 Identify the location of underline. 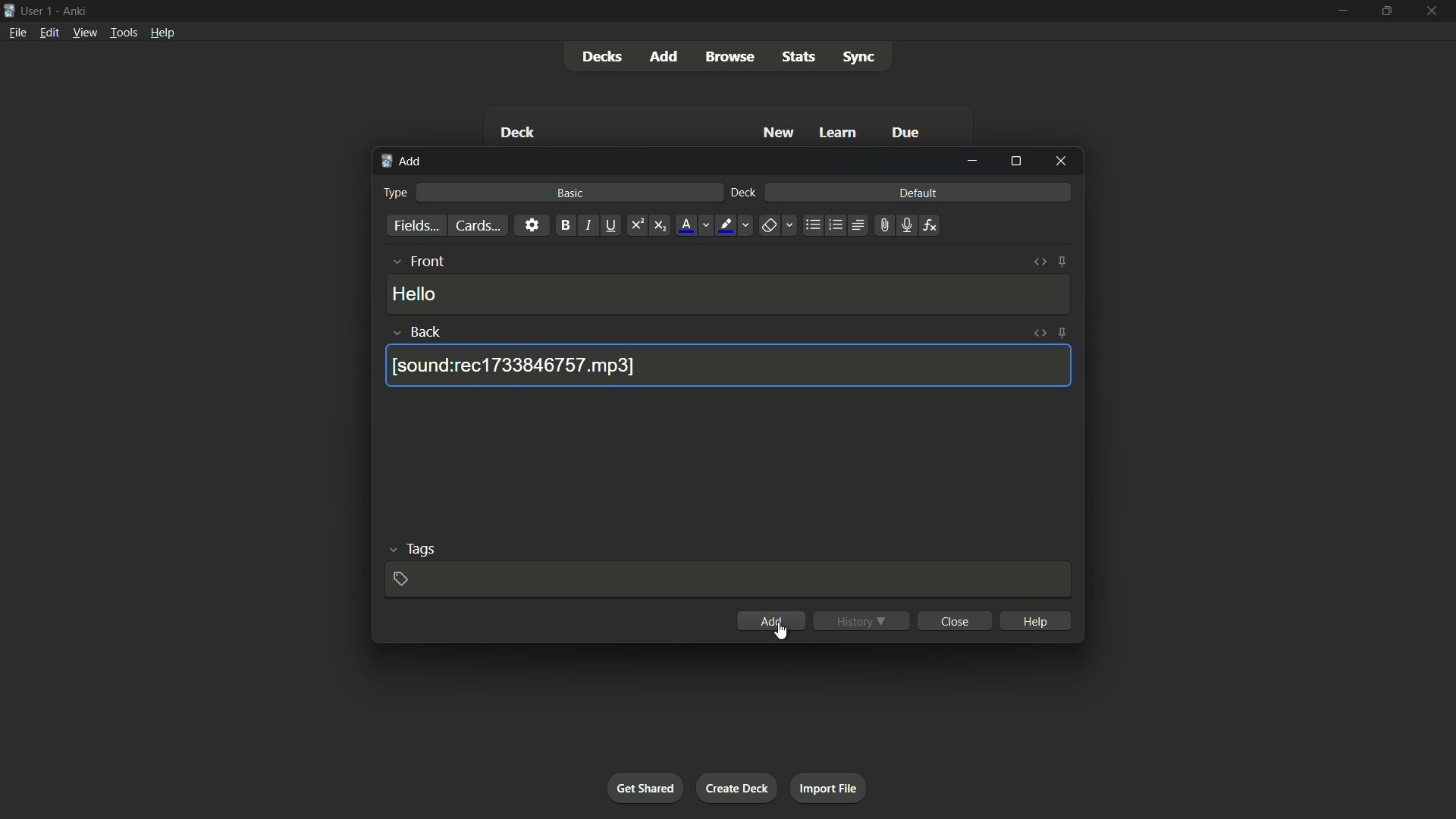
(610, 224).